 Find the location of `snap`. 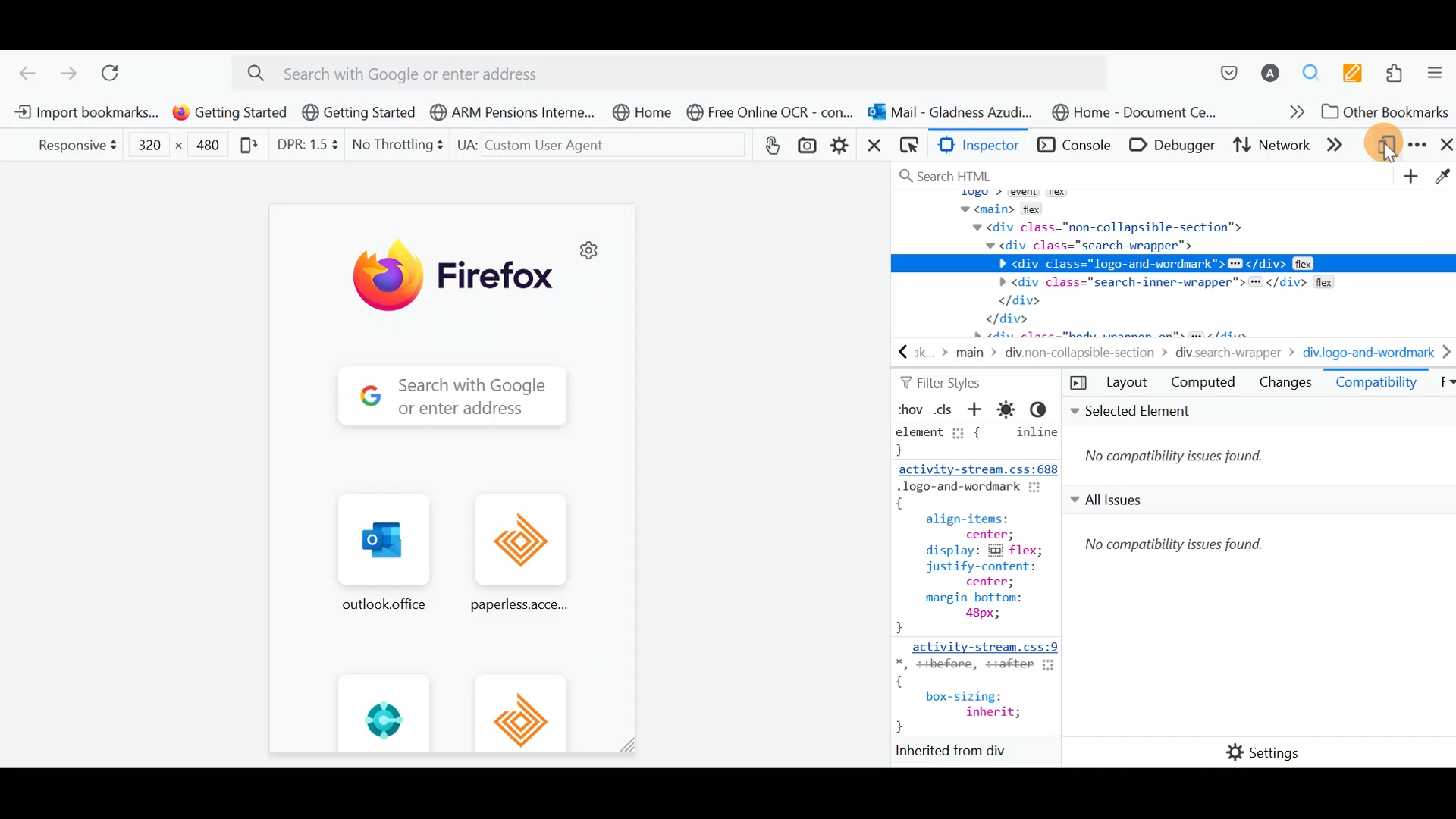

snap is located at coordinates (810, 147).